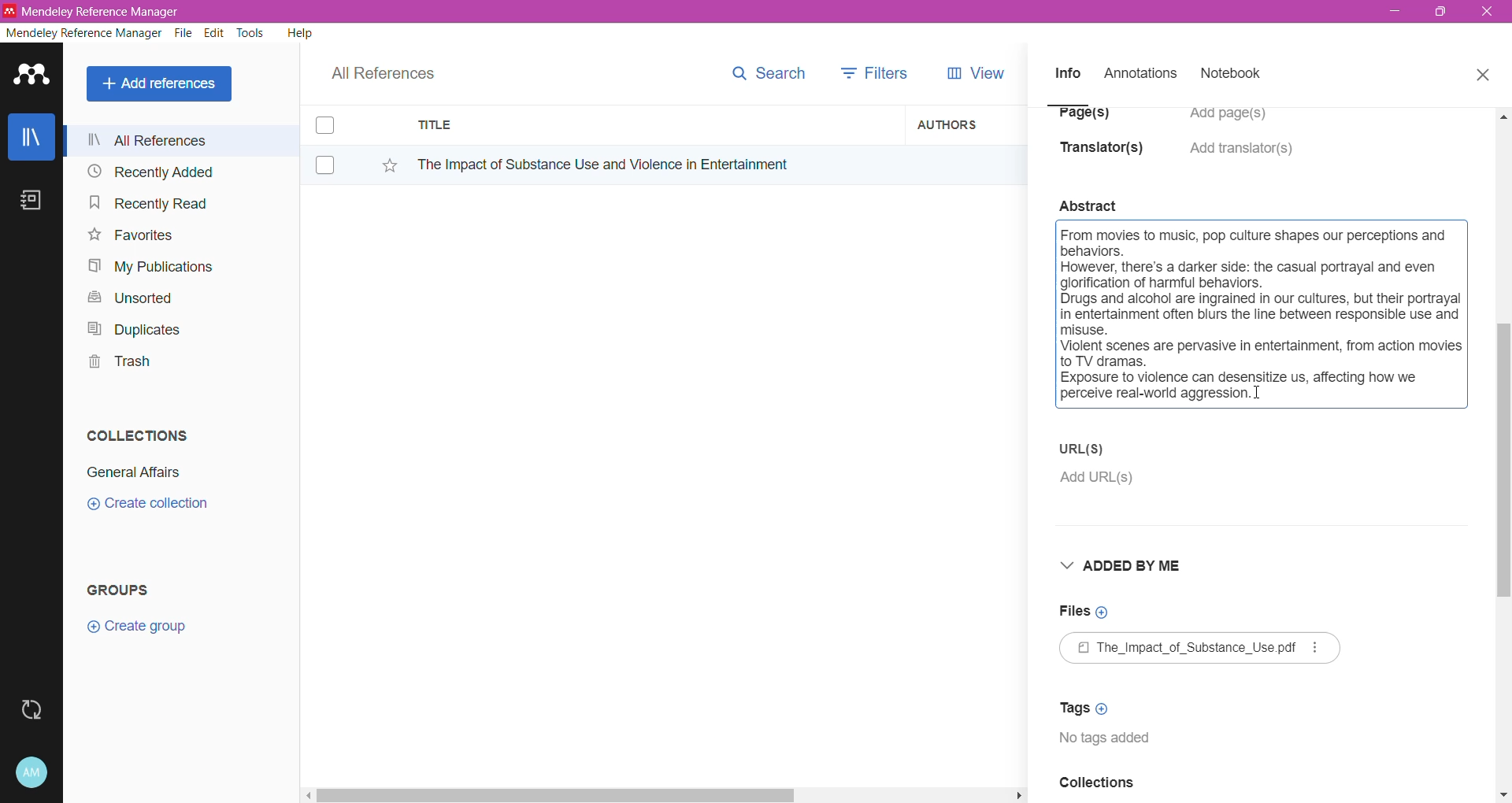 The image size is (1512, 803). What do you see at coordinates (1243, 157) in the screenshot?
I see `Click to Add translators` at bounding box center [1243, 157].